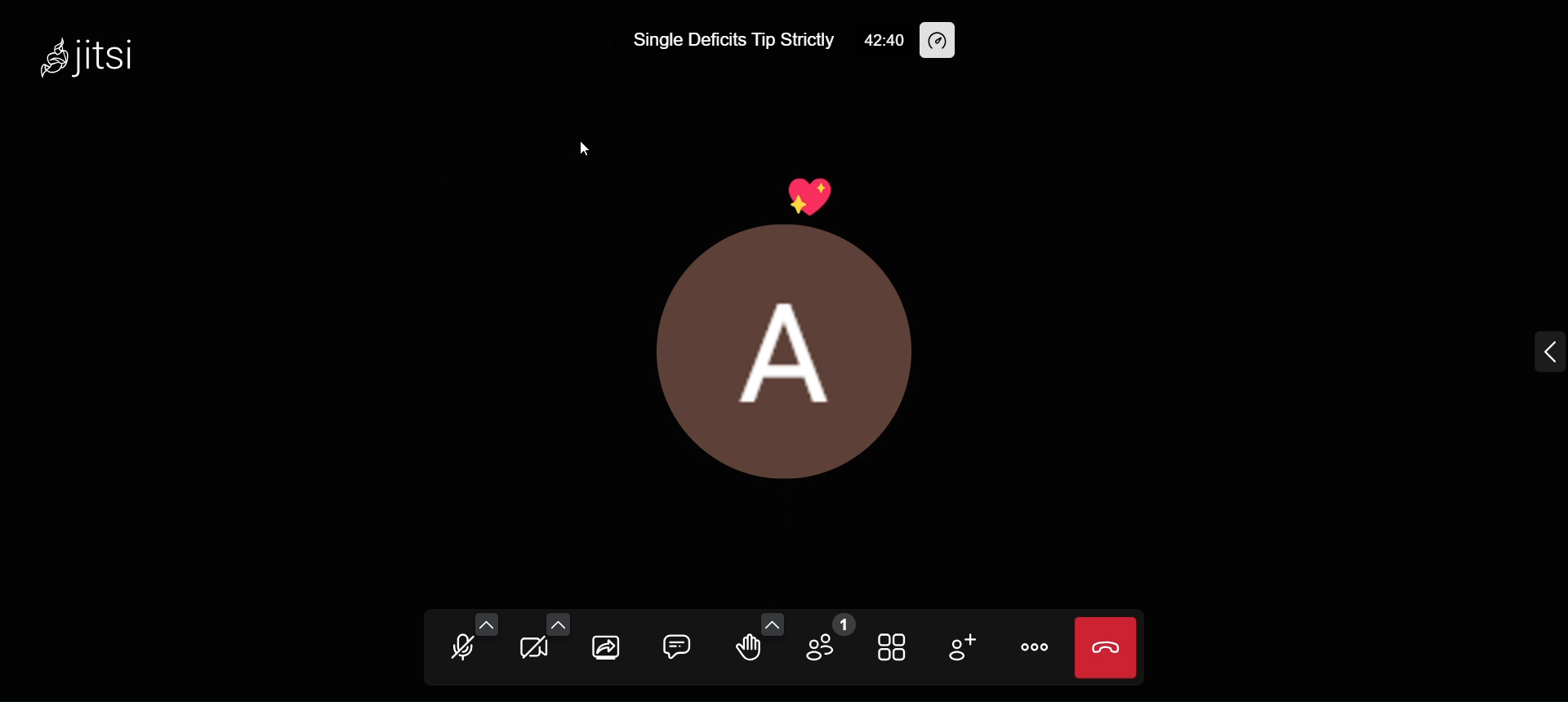  I want to click on Cursor, so click(583, 148).